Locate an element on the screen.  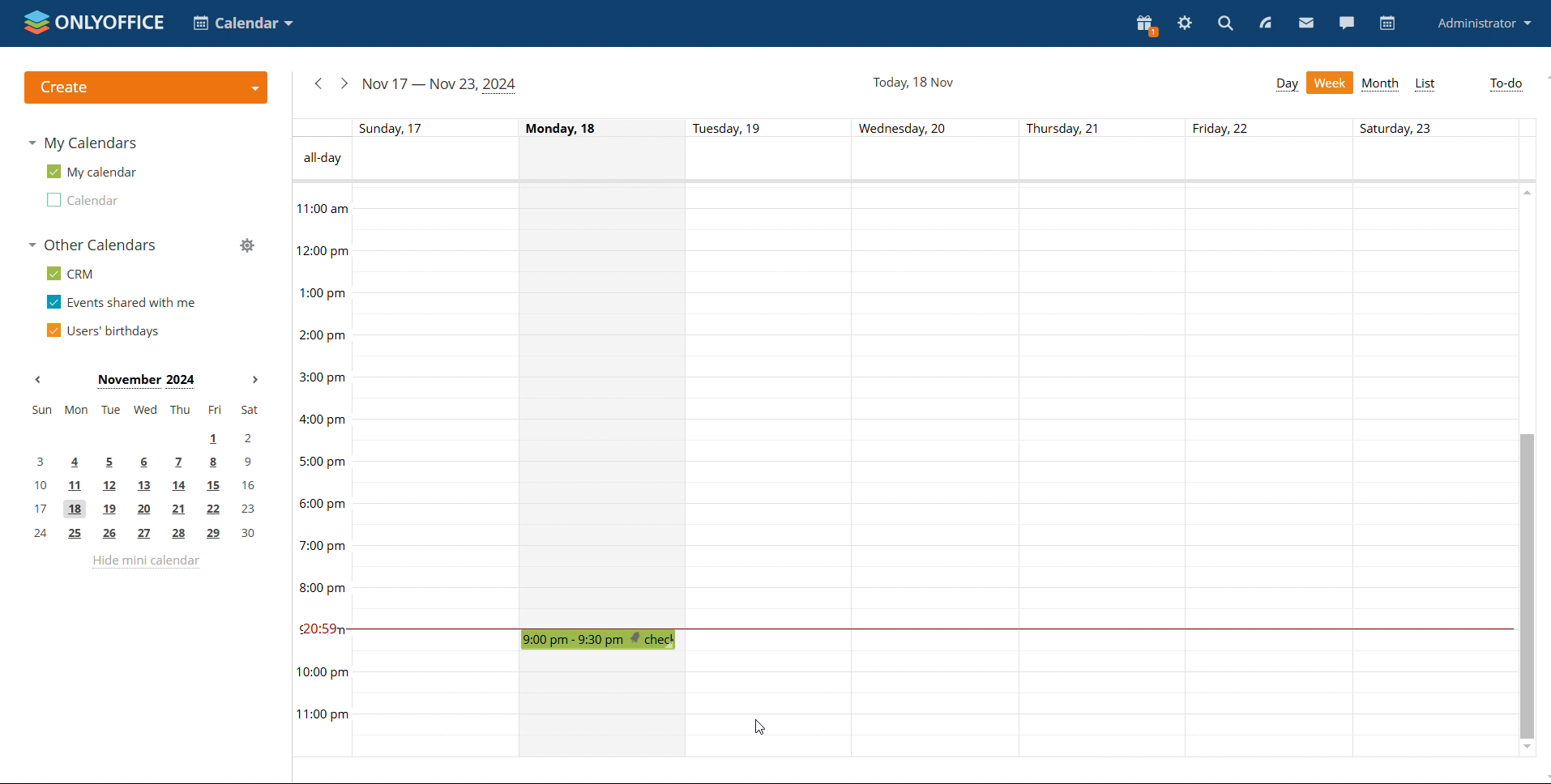
previous month is located at coordinates (39, 379).